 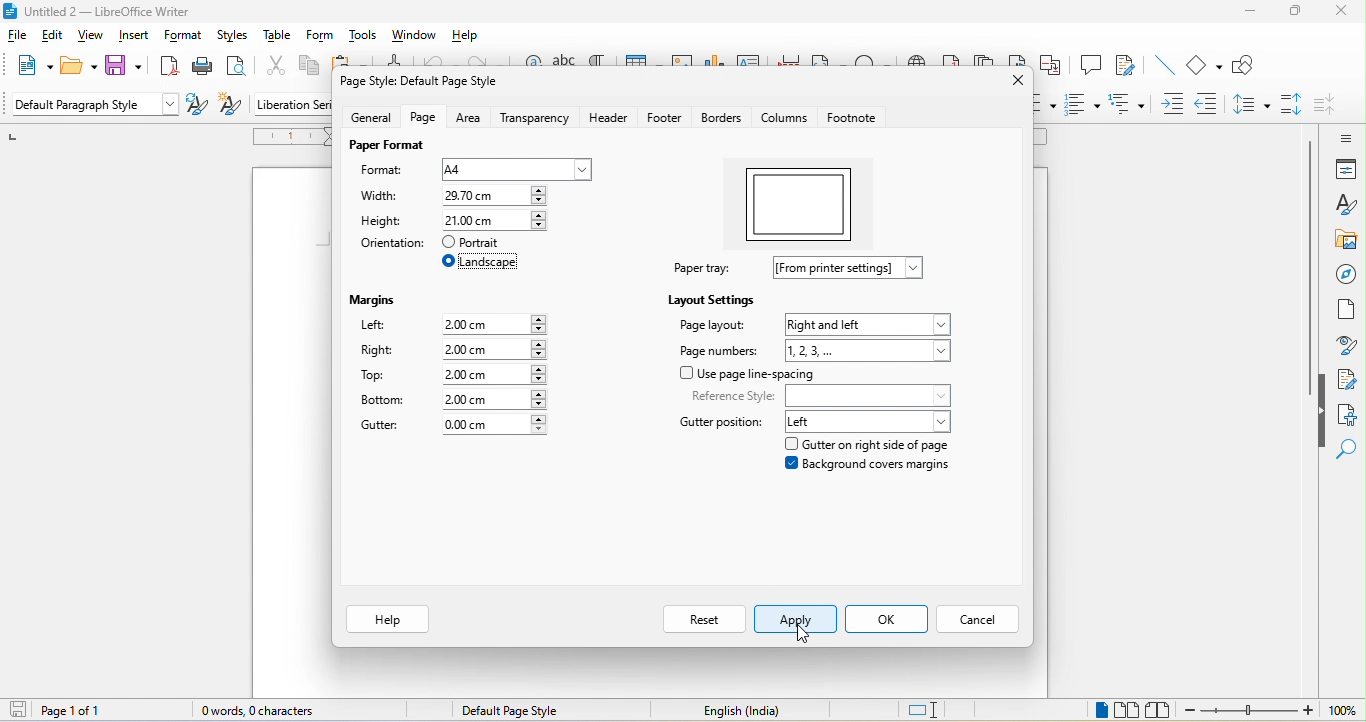 I want to click on paper tray, so click(x=705, y=268).